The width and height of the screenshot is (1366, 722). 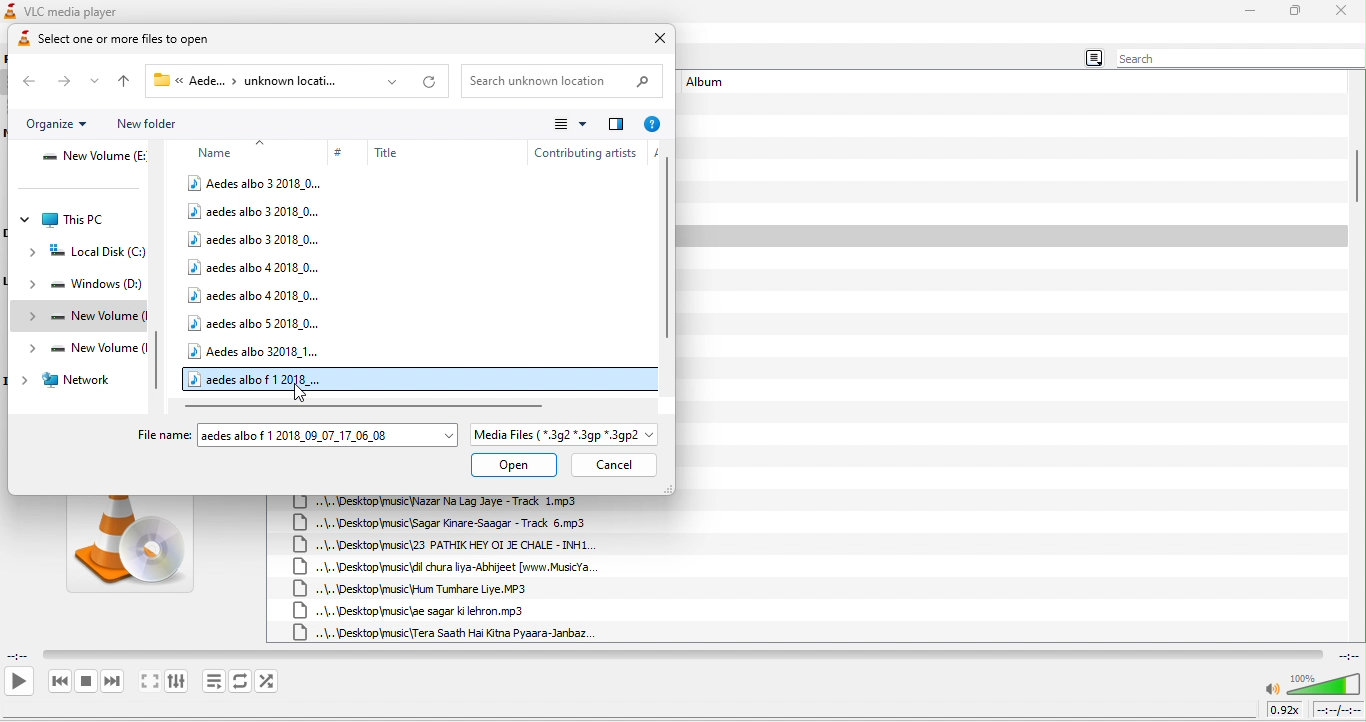 I want to click on ..\..\Desktop\music\Sagar Kinare-Saagar - Track 6,mp3, so click(x=447, y=523).